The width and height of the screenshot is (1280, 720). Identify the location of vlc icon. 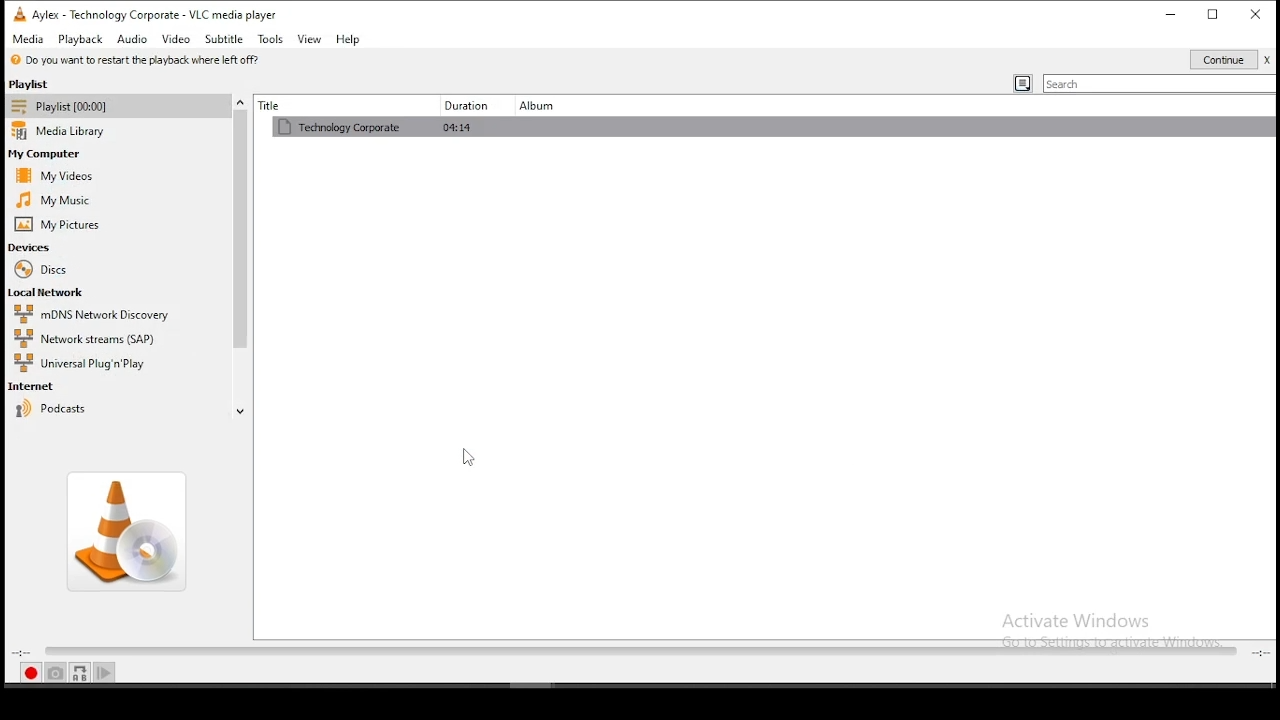
(16, 12).